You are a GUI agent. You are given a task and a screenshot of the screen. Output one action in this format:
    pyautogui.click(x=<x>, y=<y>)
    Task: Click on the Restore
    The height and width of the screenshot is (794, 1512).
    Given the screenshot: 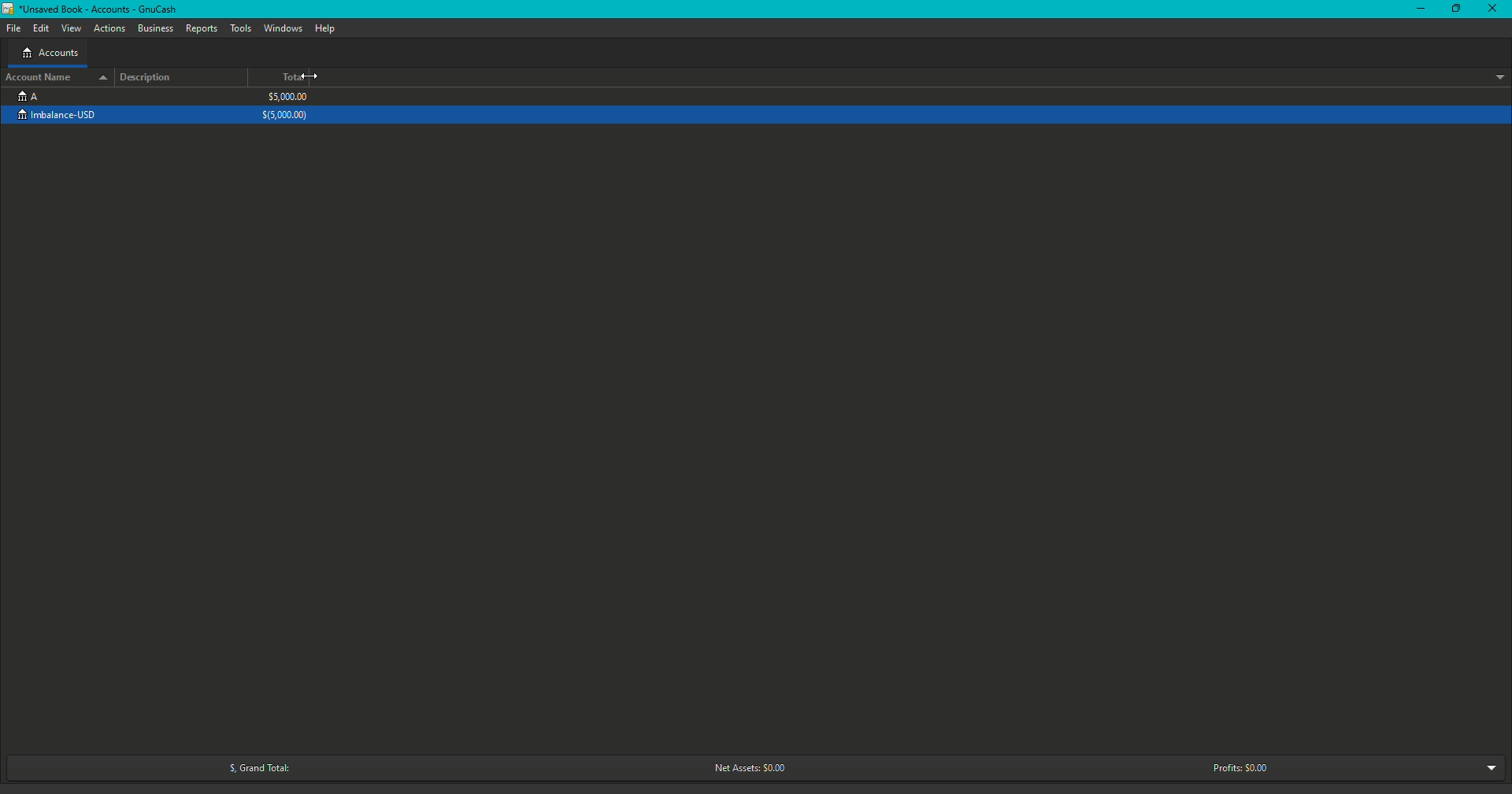 What is the action you would take?
    pyautogui.click(x=1455, y=9)
    